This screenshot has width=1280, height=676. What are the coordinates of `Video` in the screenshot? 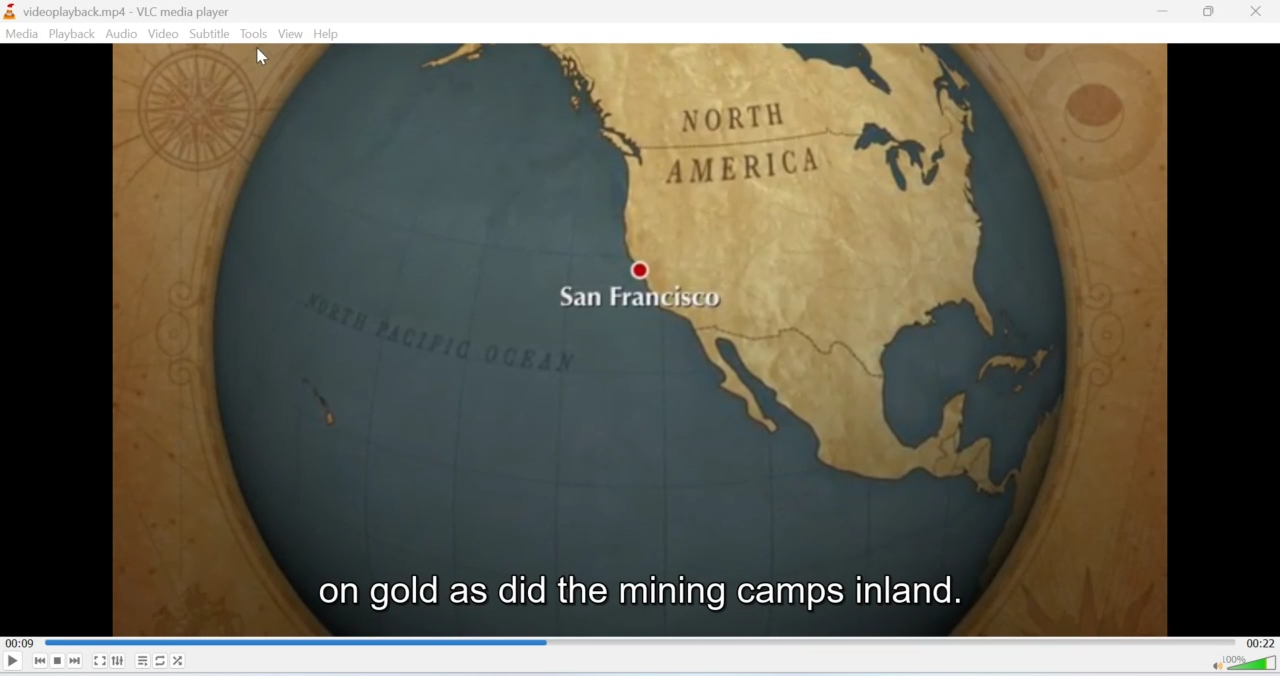 It's located at (165, 34).